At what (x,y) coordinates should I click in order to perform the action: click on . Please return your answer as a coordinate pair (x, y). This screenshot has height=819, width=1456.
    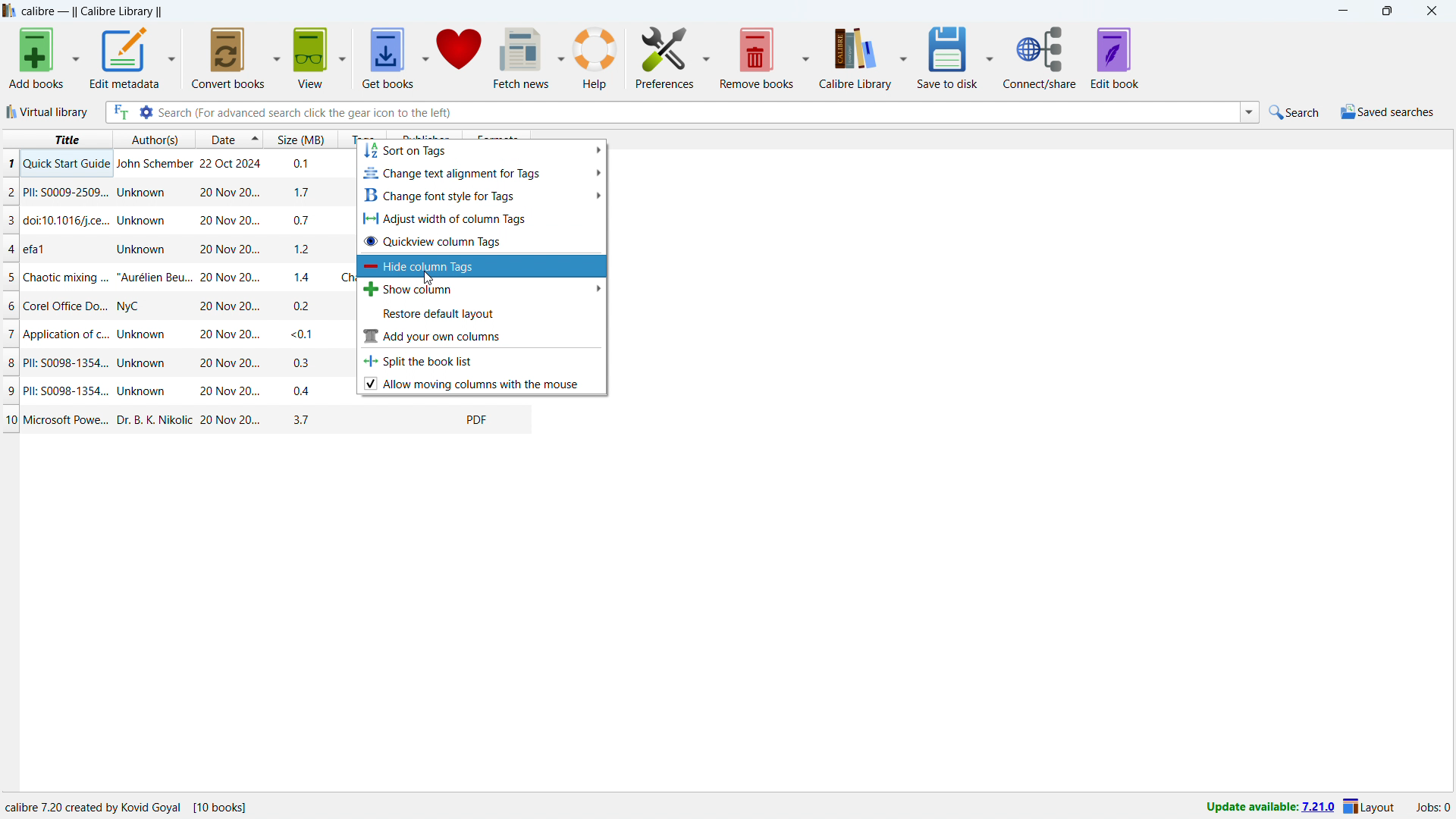
    Looking at the image, I should click on (133, 802).